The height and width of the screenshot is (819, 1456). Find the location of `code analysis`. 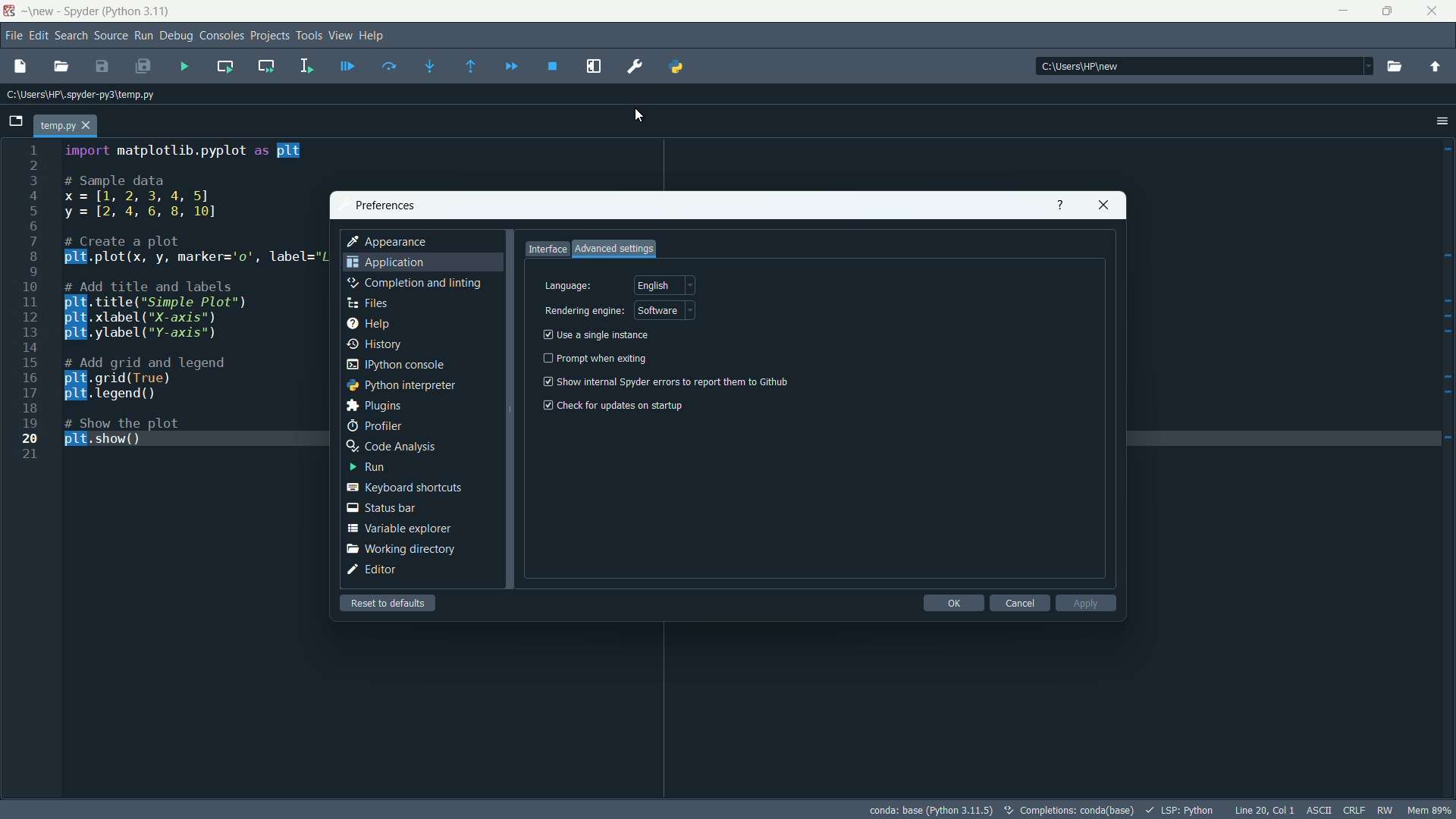

code analysis is located at coordinates (391, 447).